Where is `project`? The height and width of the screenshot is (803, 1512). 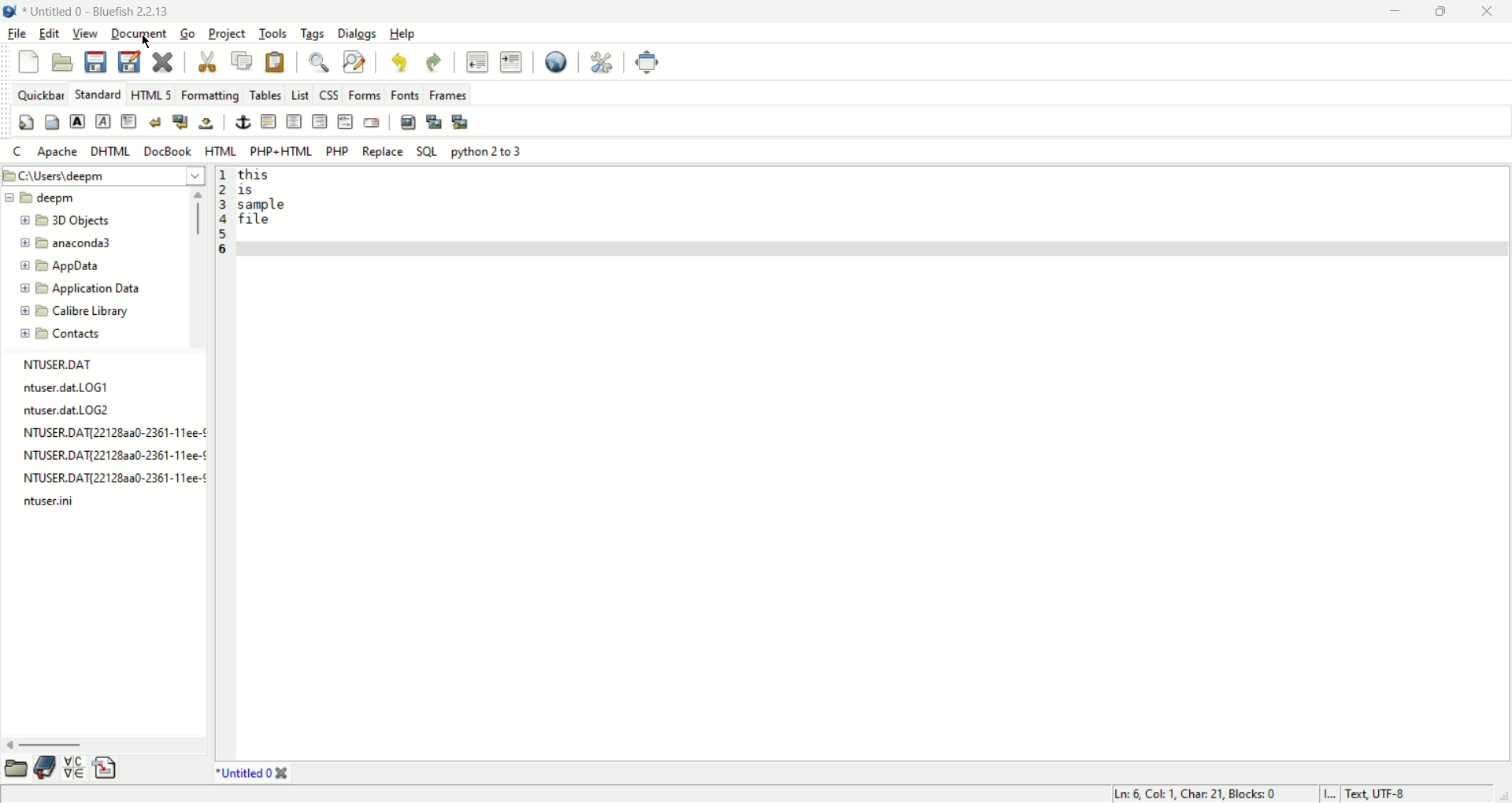 project is located at coordinates (229, 33).